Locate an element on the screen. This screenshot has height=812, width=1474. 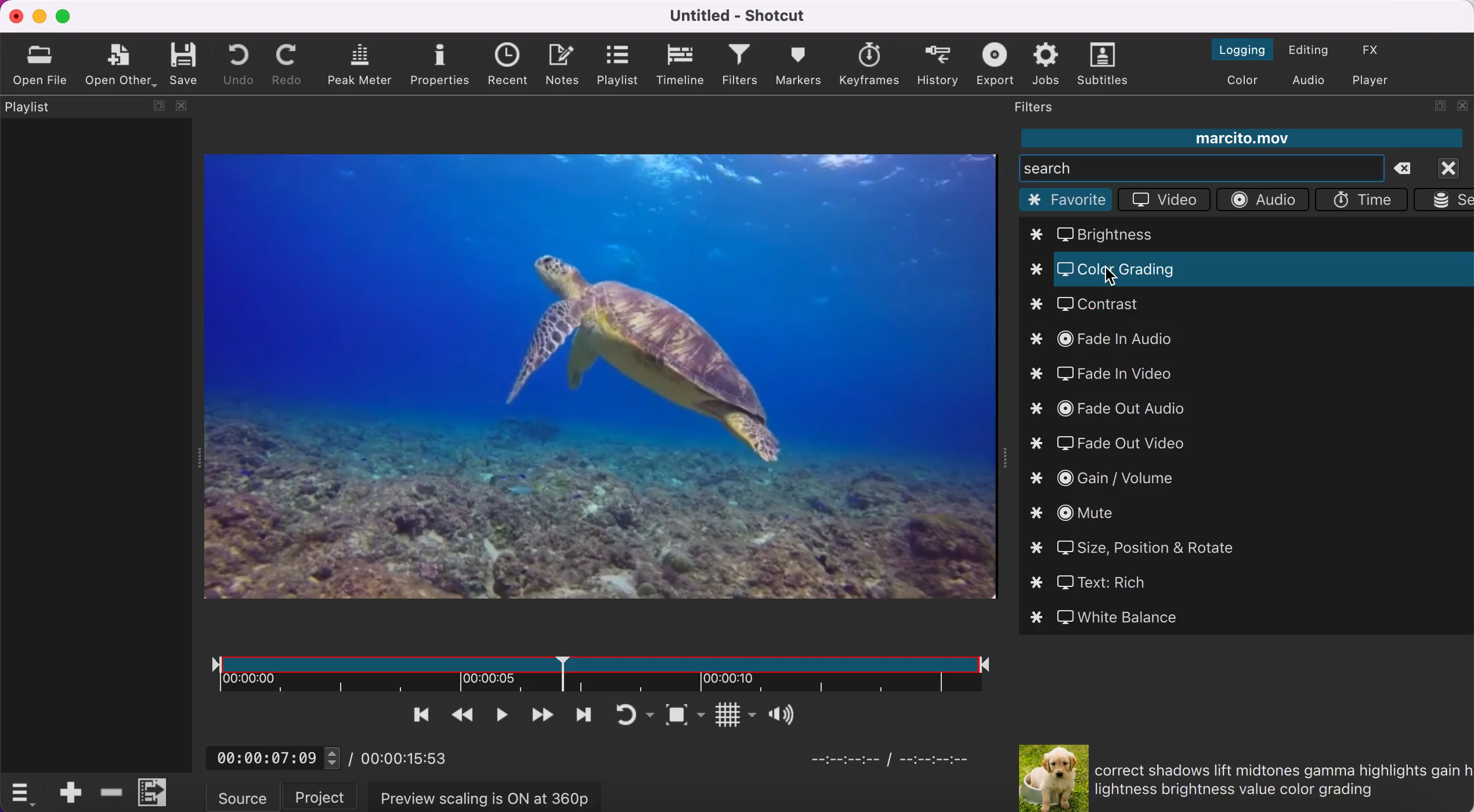
 is located at coordinates (718, 713).